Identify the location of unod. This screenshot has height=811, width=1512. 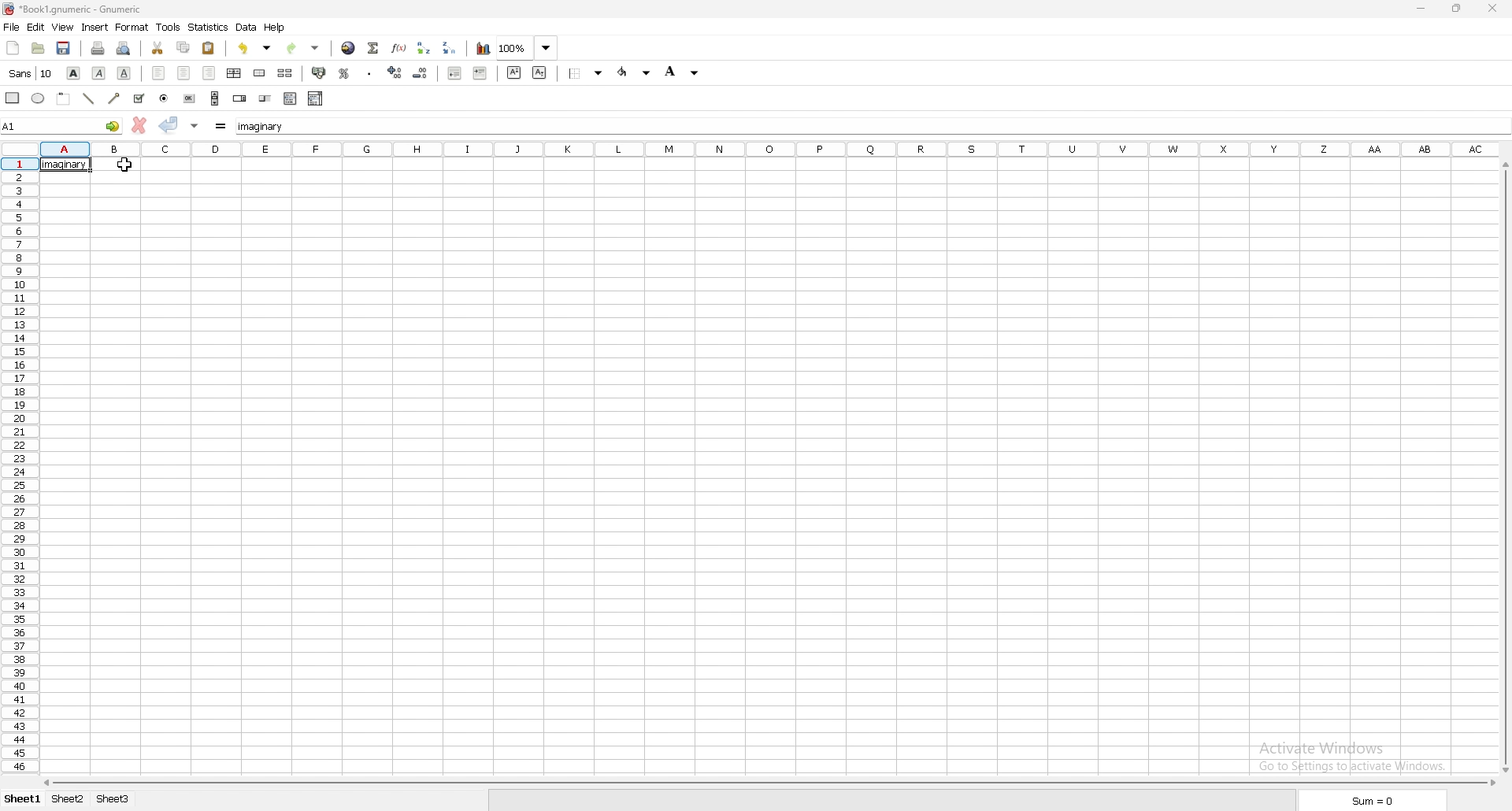
(256, 47).